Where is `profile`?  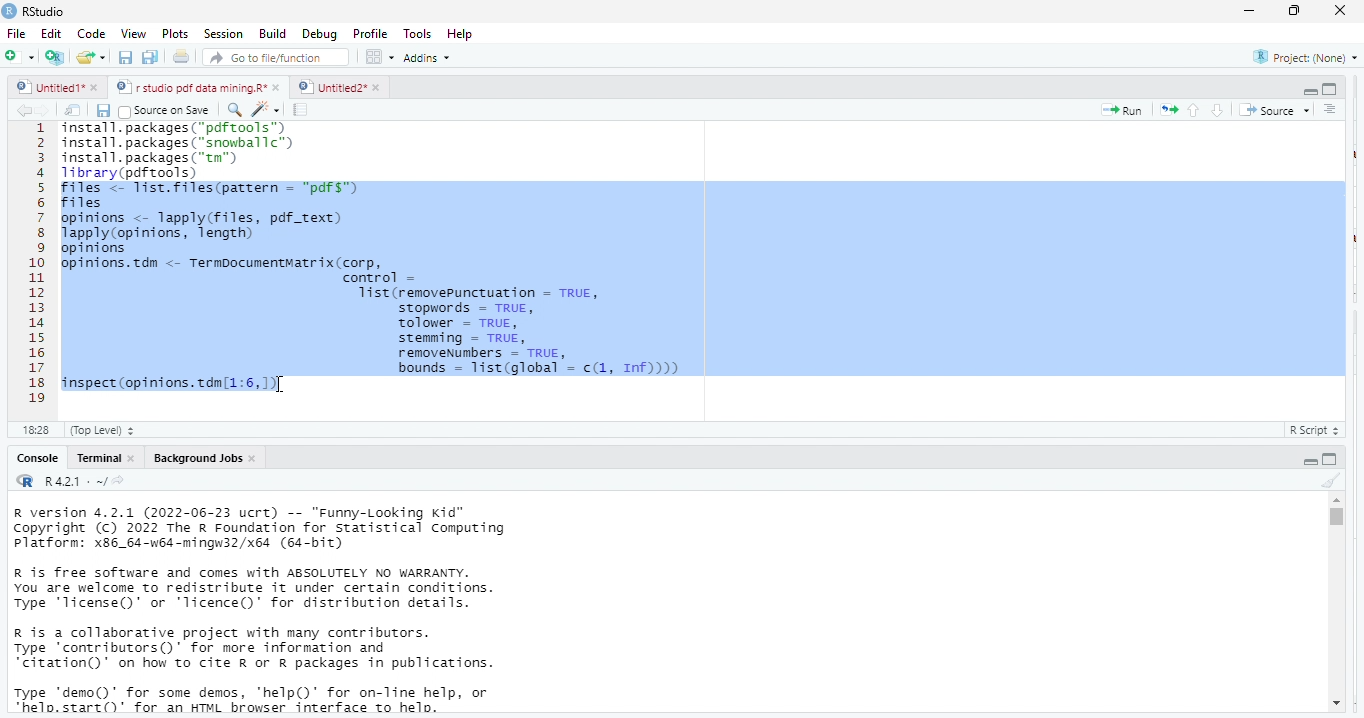
profile is located at coordinates (370, 32).